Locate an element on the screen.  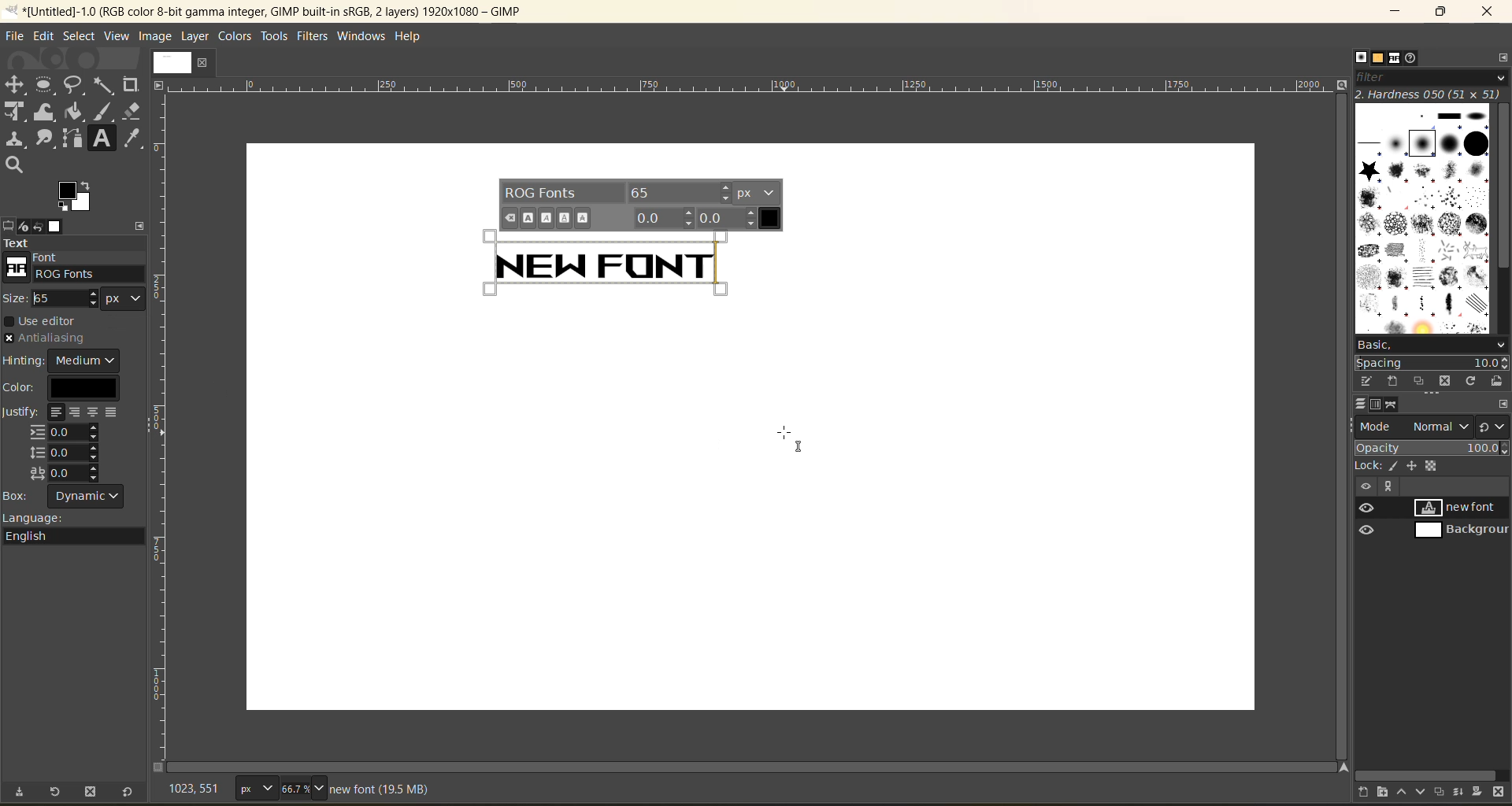
open brush as image is located at coordinates (1497, 381).